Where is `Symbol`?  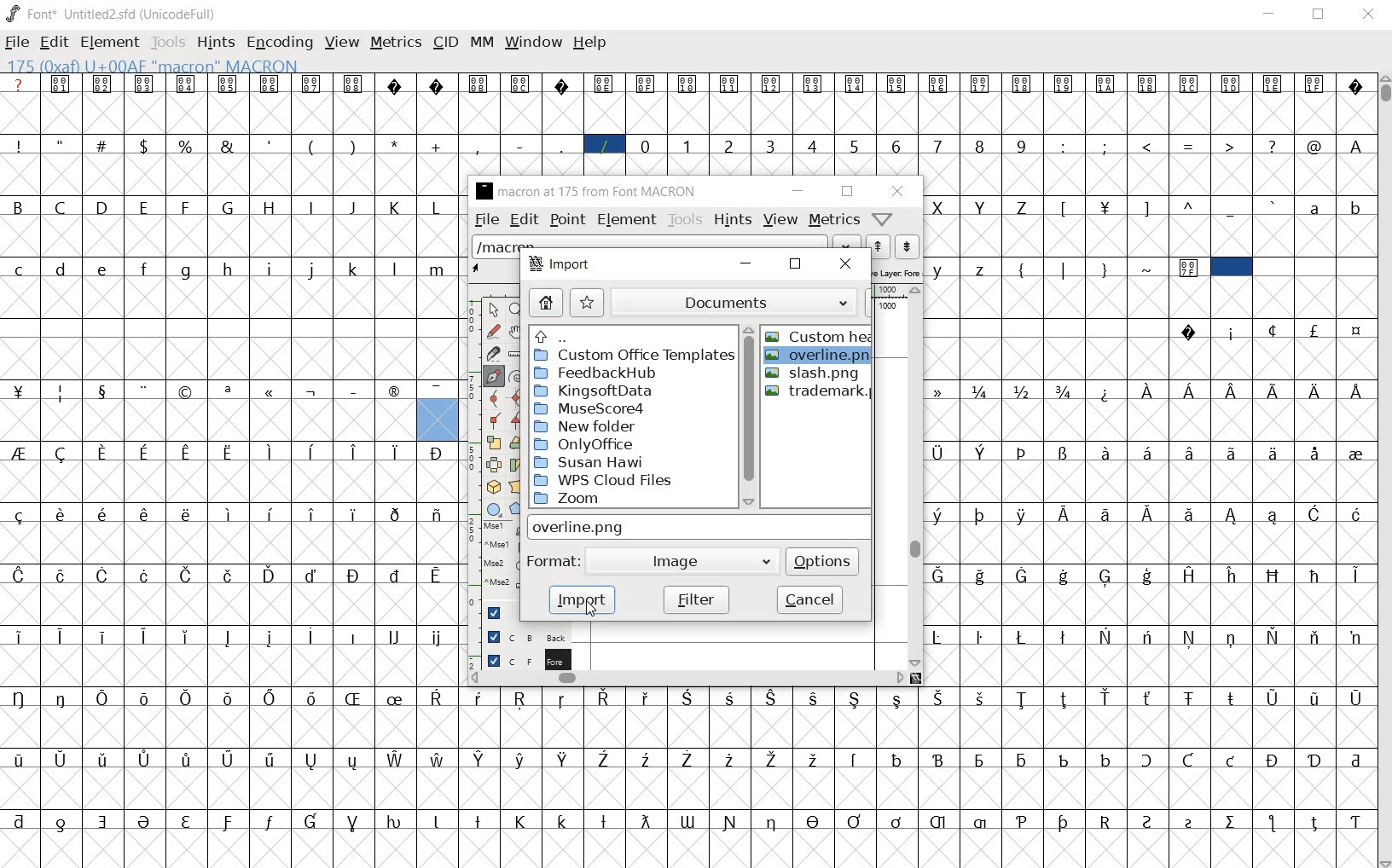
Symbol is located at coordinates (1314, 454).